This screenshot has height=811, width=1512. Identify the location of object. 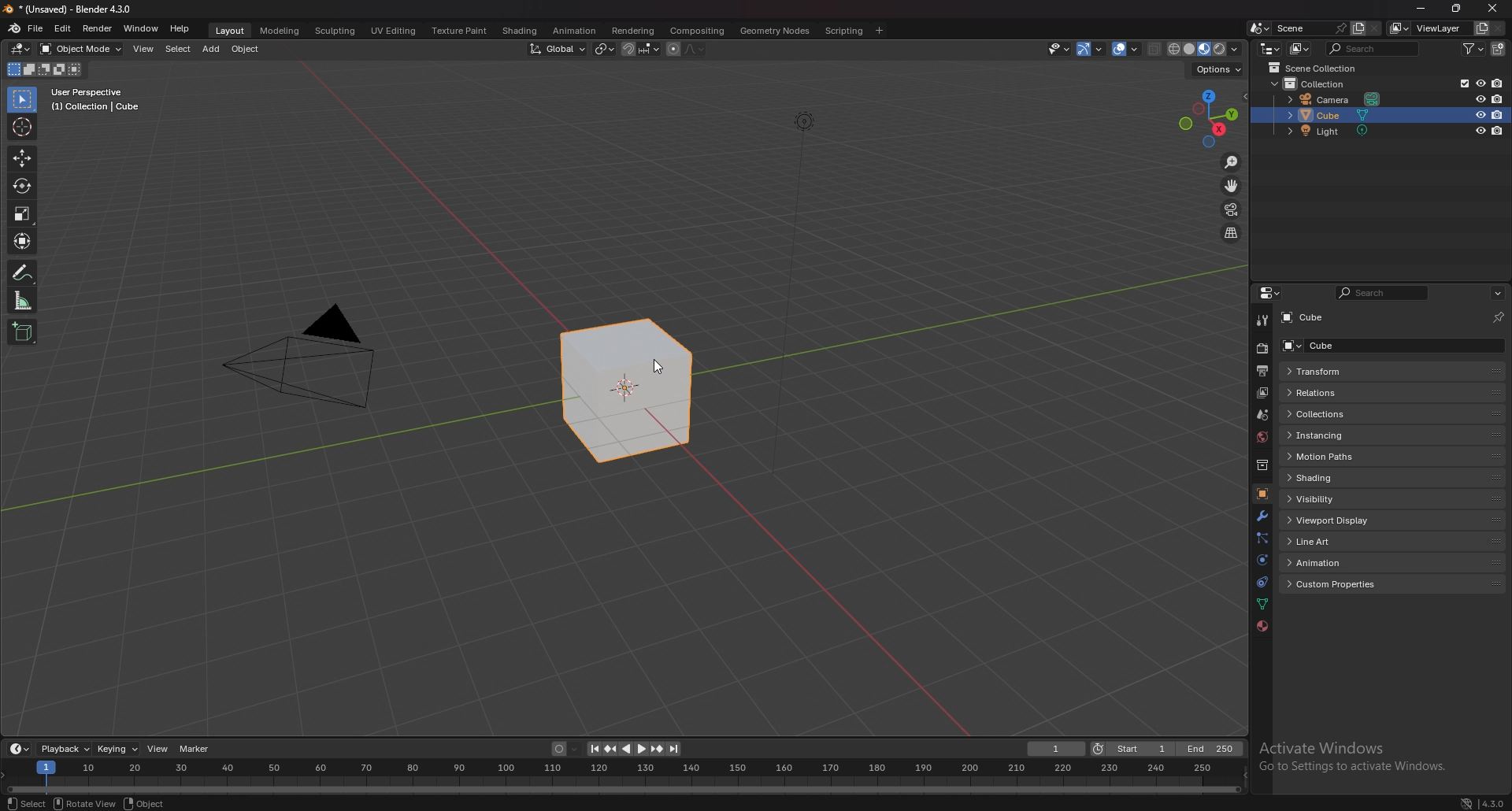
(1264, 492).